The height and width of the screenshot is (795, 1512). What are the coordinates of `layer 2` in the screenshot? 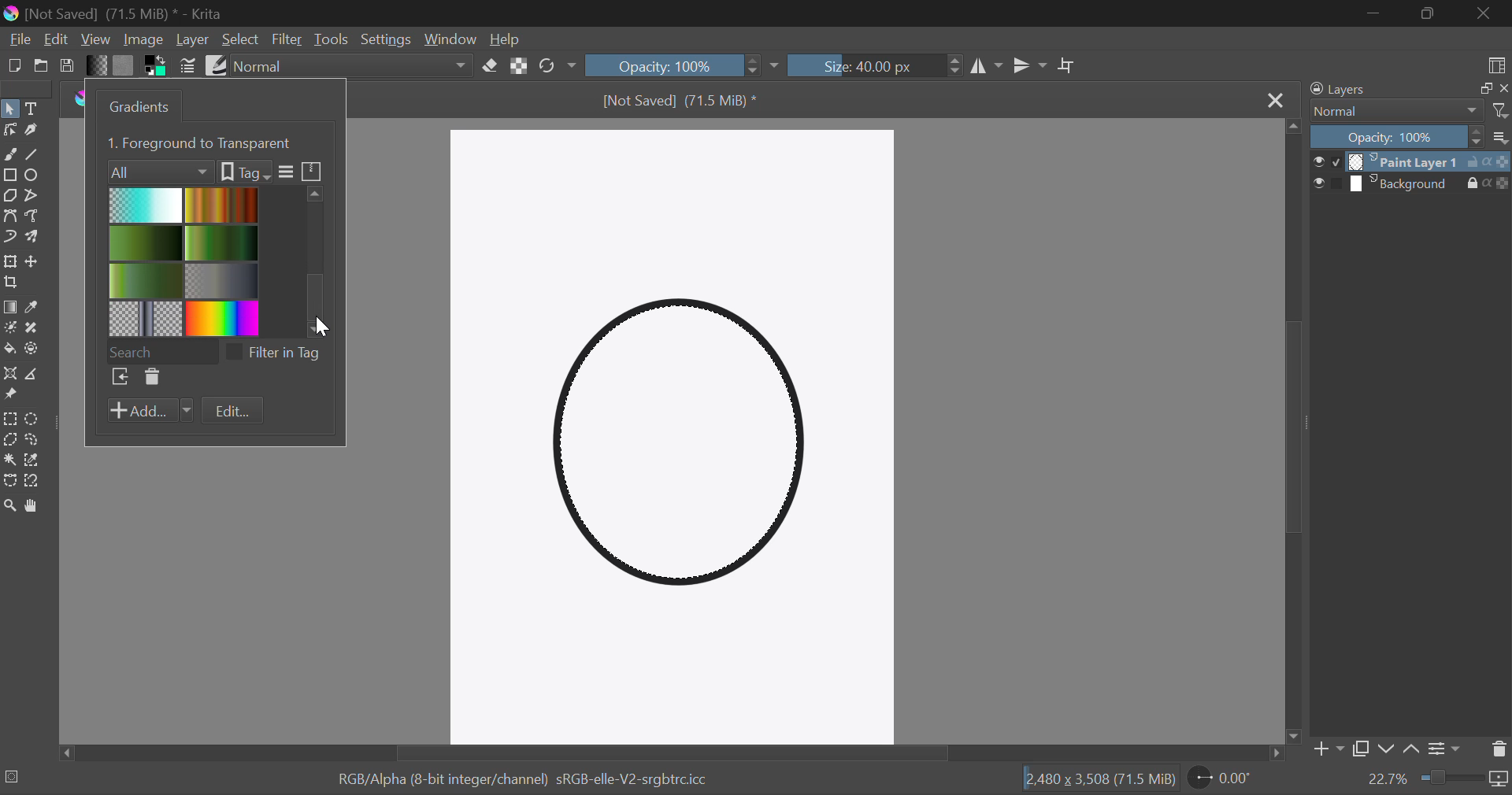 It's located at (1405, 184).